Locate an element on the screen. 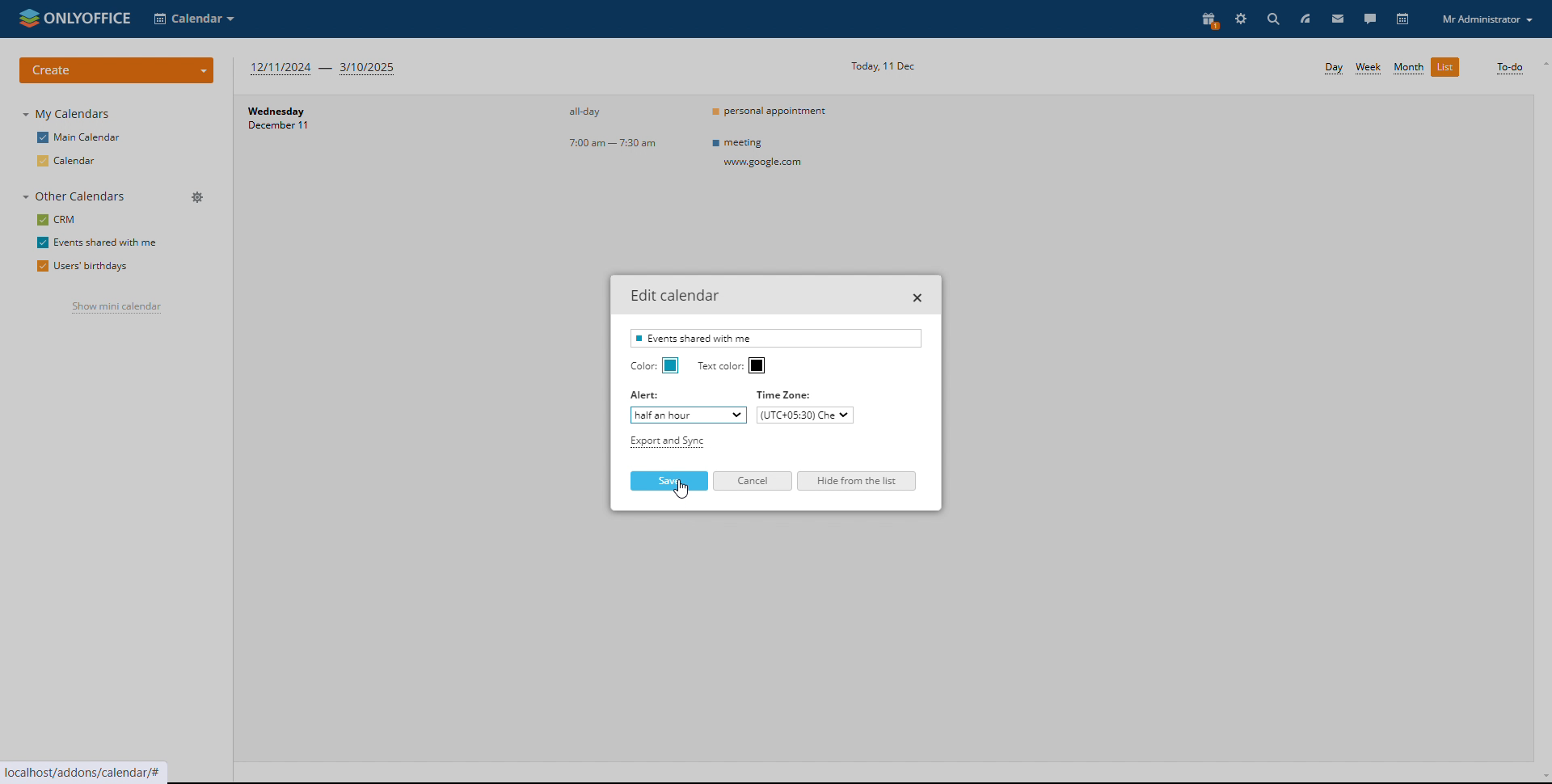  crm is located at coordinates (58, 220).